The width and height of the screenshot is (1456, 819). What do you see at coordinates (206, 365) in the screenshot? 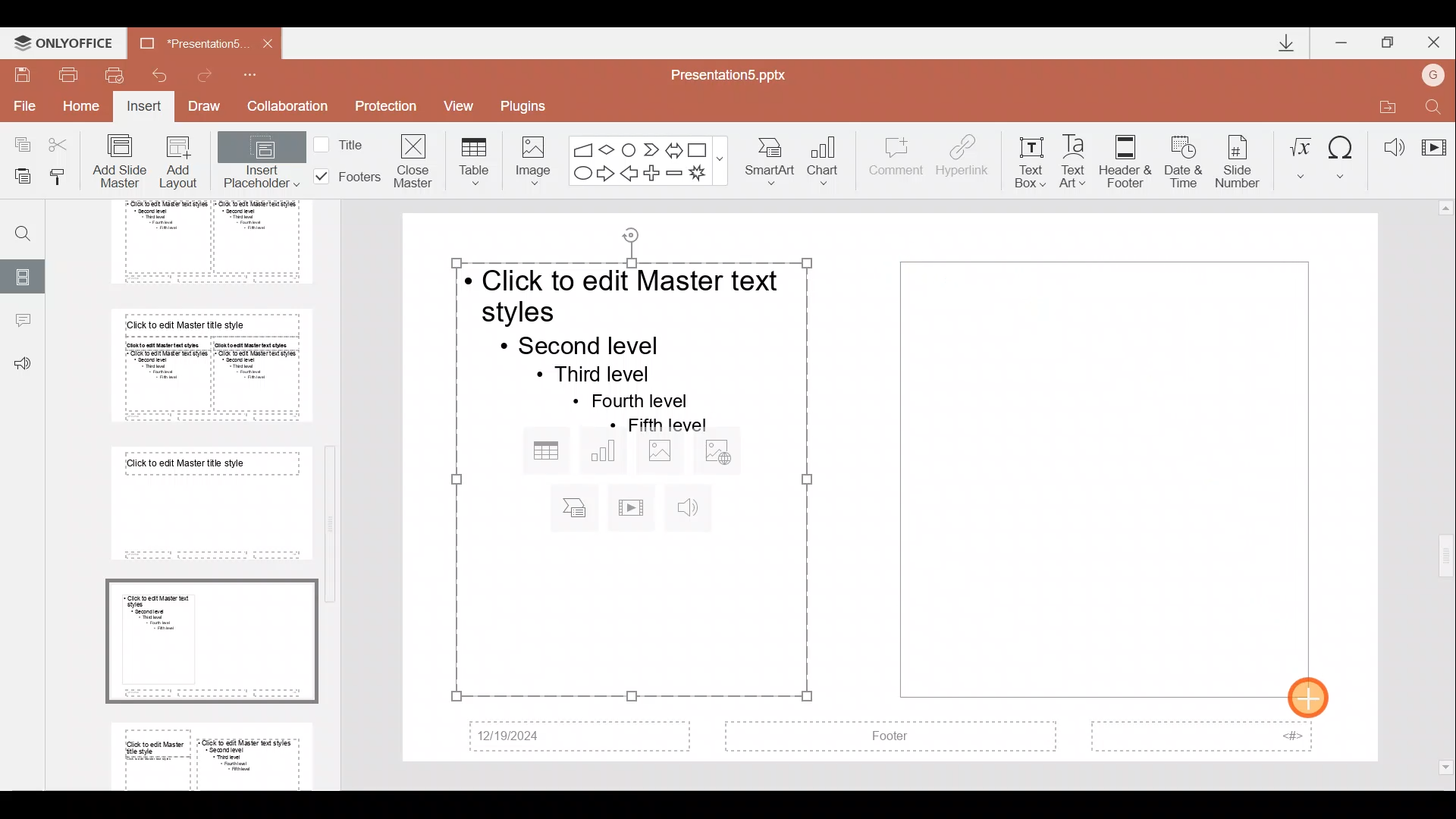
I see `Slide 6` at bounding box center [206, 365].